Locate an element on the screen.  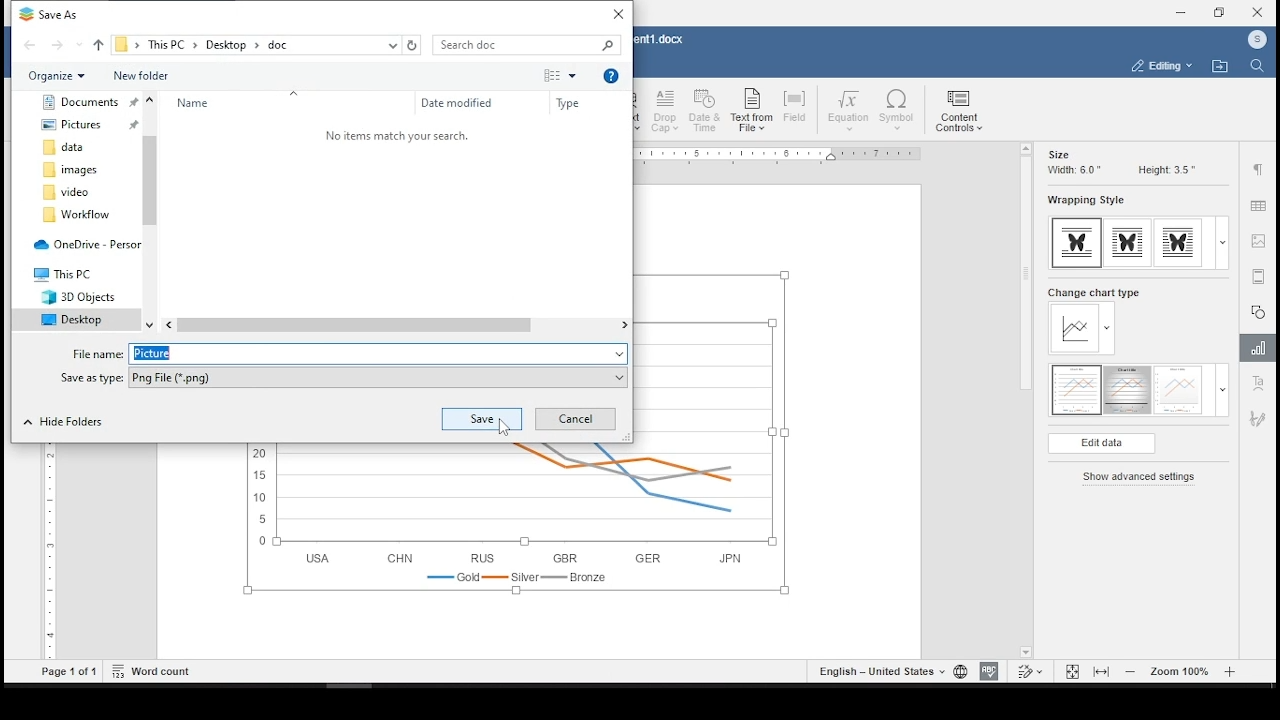
Page 1 of 1 is located at coordinates (69, 672).